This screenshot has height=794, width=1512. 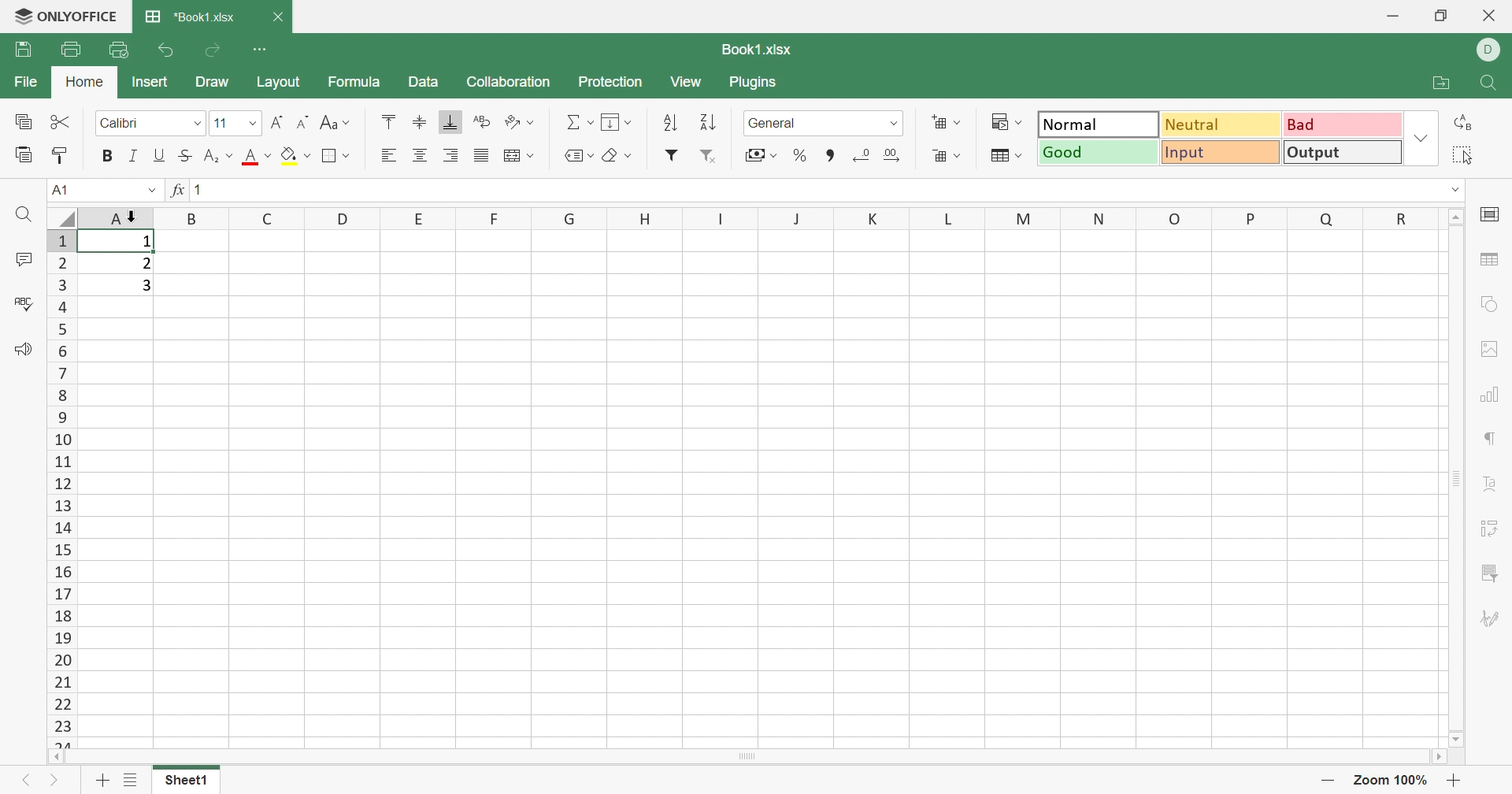 What do you see at coordinates (335, 155) in the screenshot?
I see `Borders` at bounding box center [335, 155].